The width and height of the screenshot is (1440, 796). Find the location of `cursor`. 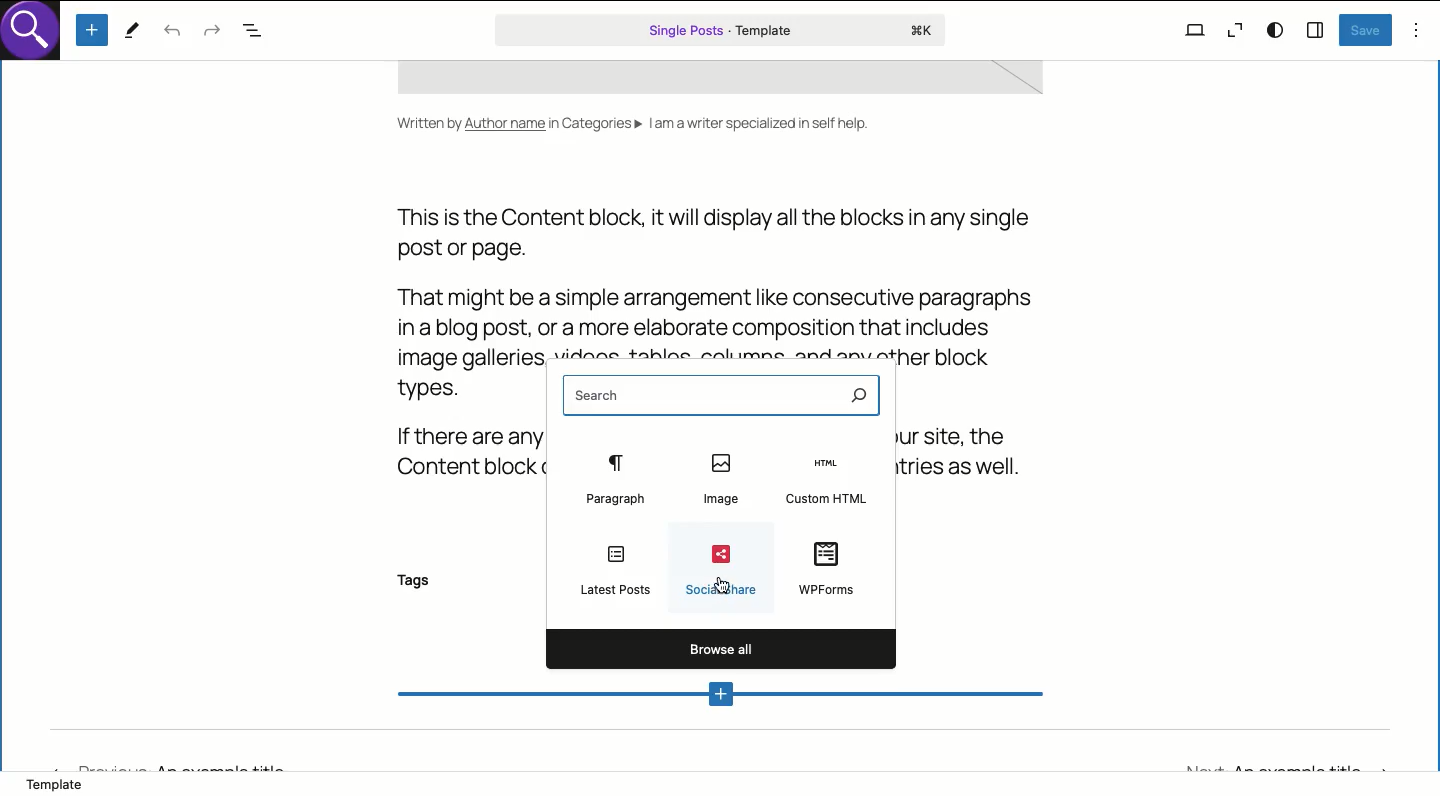

cursor is located at coordinates (720, 587).